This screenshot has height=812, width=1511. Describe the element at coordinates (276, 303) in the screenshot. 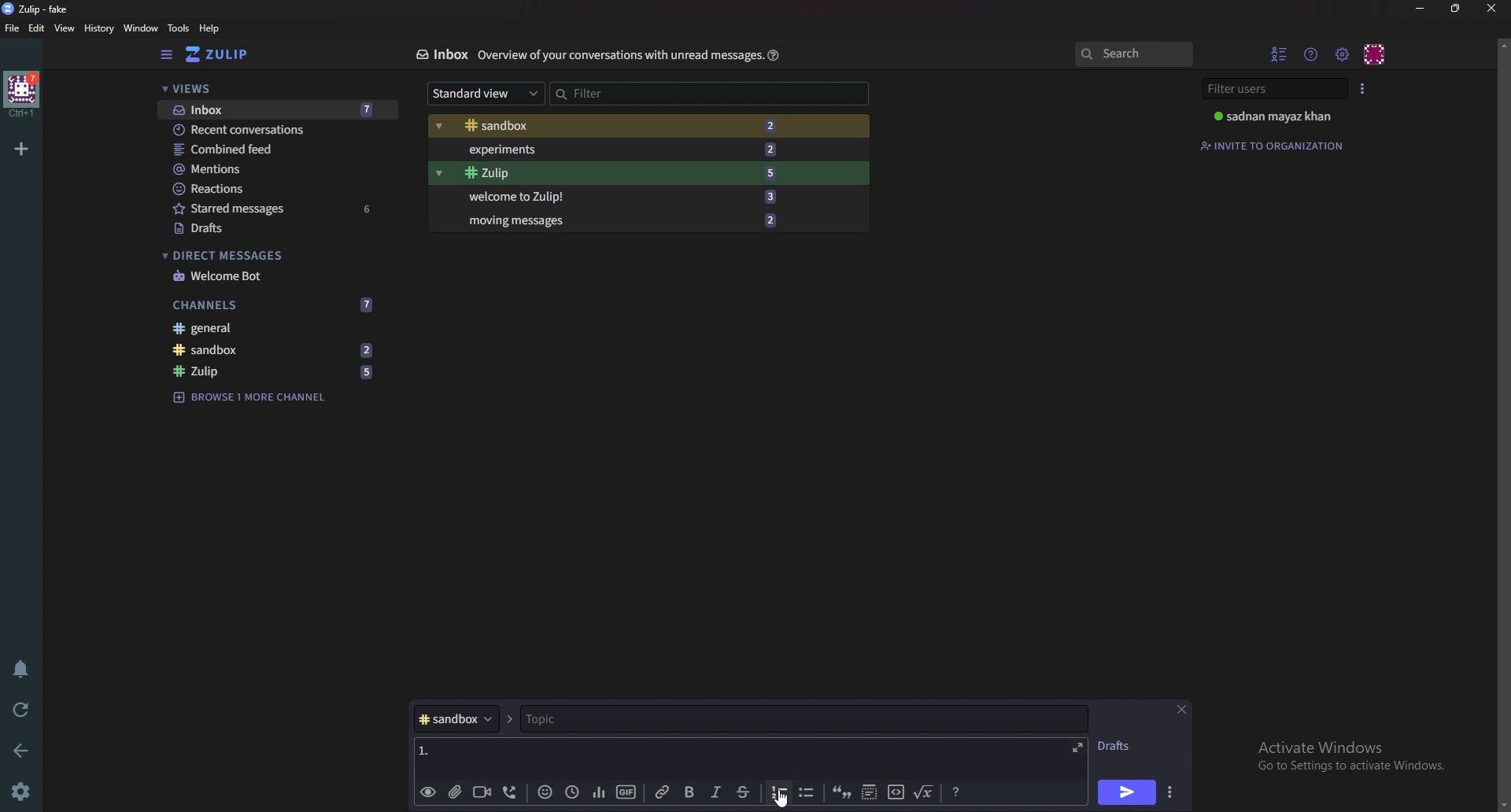

I see `Channels` at that location.